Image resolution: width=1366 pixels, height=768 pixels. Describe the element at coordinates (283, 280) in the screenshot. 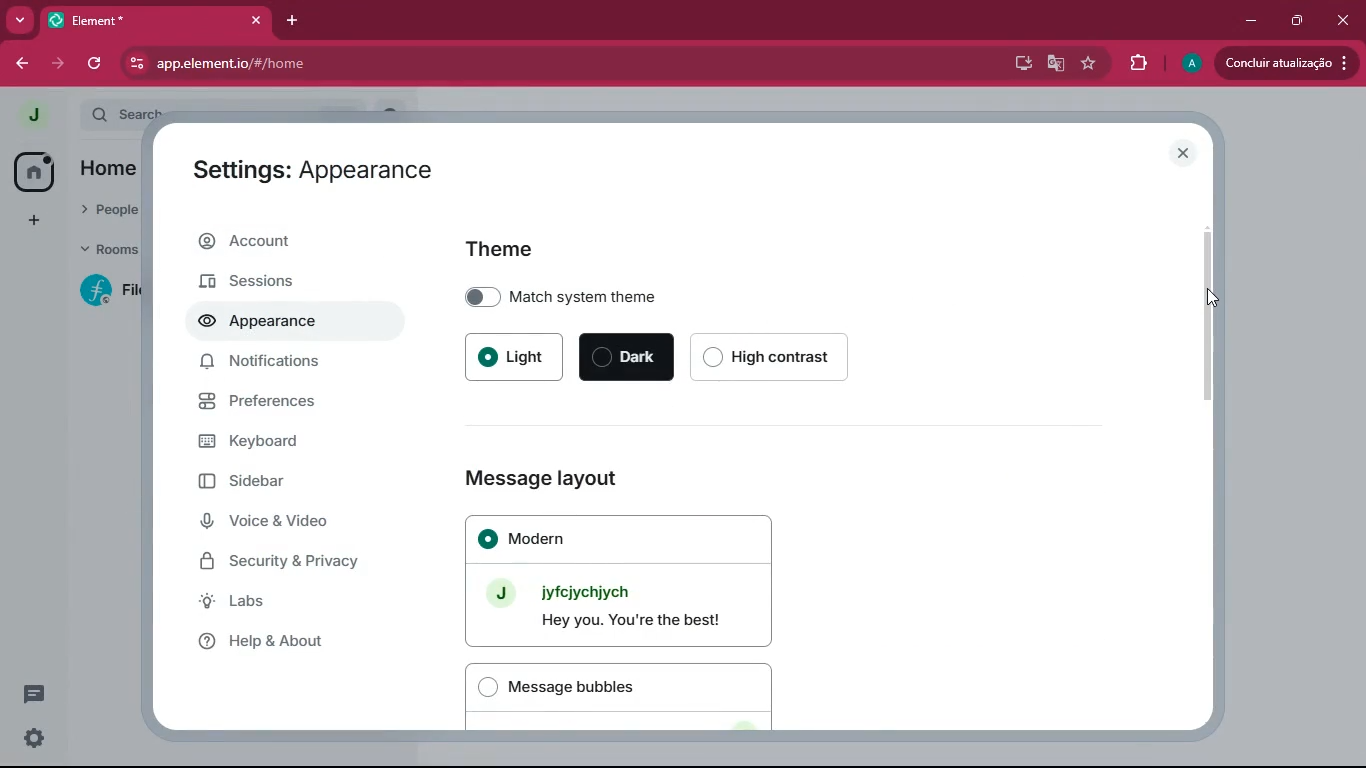

I see `sessions` at that location.